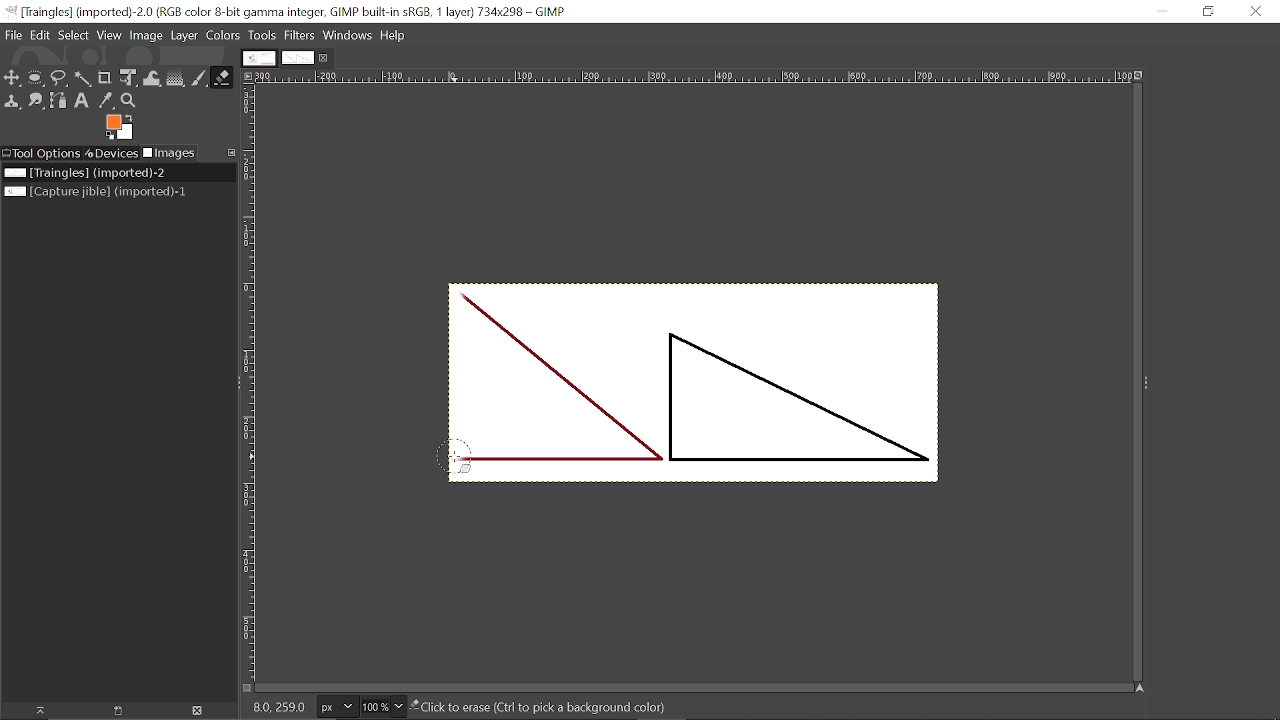  I want to click on Path tool, so click(58, 101).